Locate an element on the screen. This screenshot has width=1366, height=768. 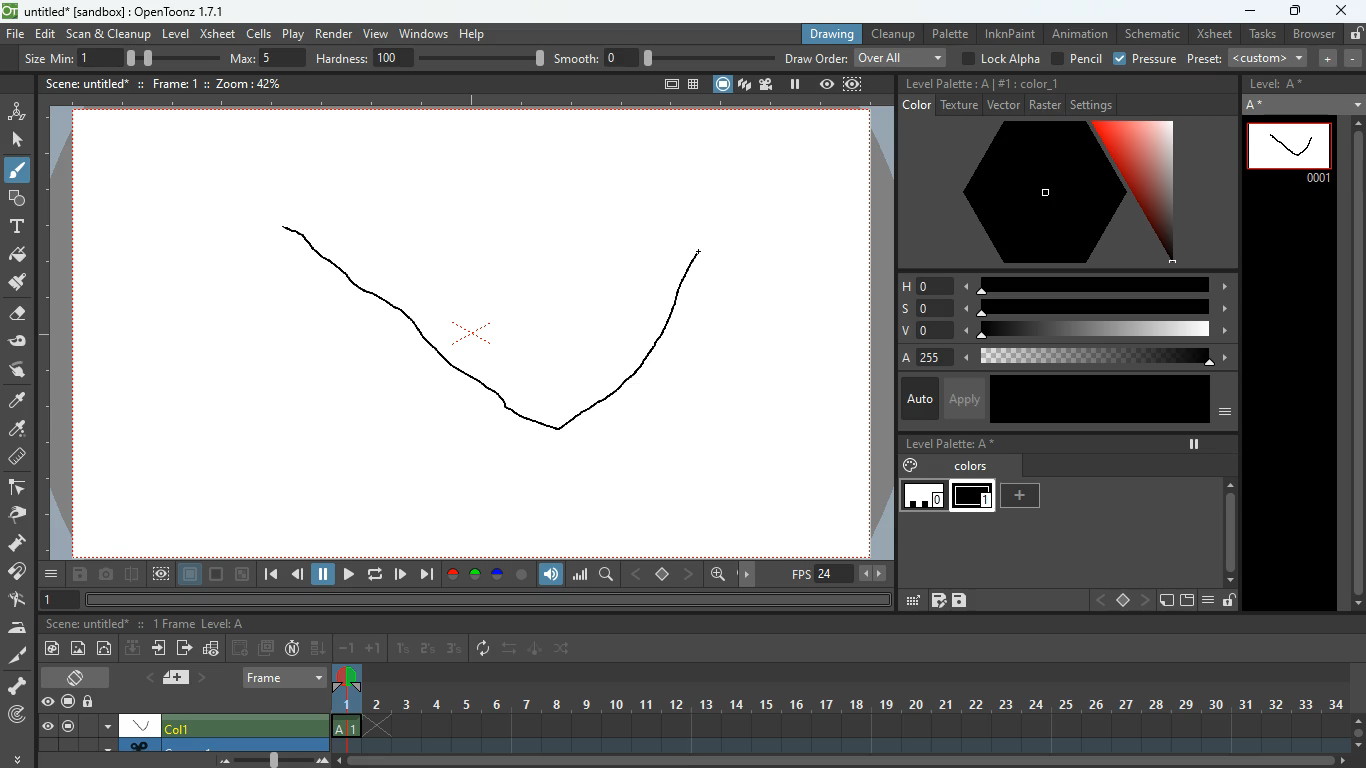
-1 is located at coordinates (347, 647).